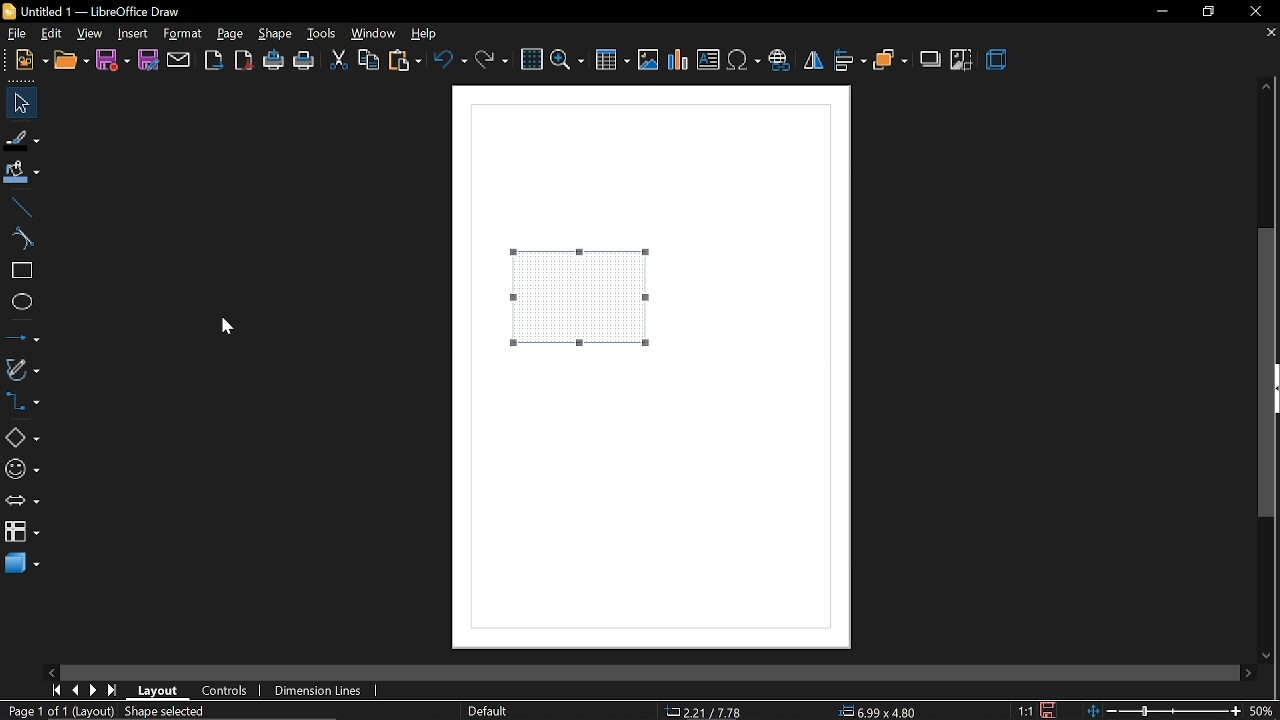 This screenshot has width=1280, height=720. I want to click on insert chart, so click(678, 61).